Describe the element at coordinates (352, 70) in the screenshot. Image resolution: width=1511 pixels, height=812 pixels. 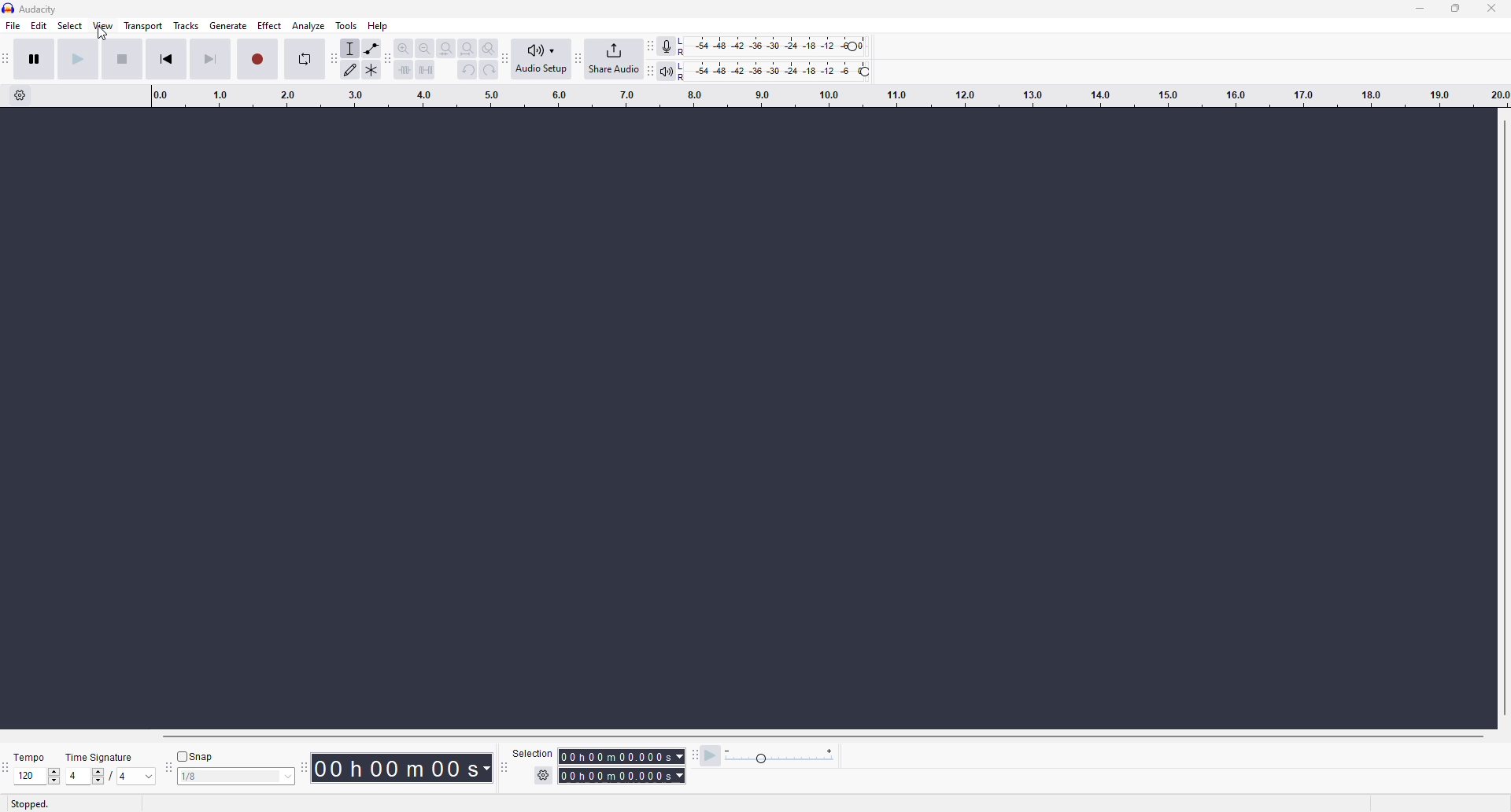
I see `draw tool` at that location.